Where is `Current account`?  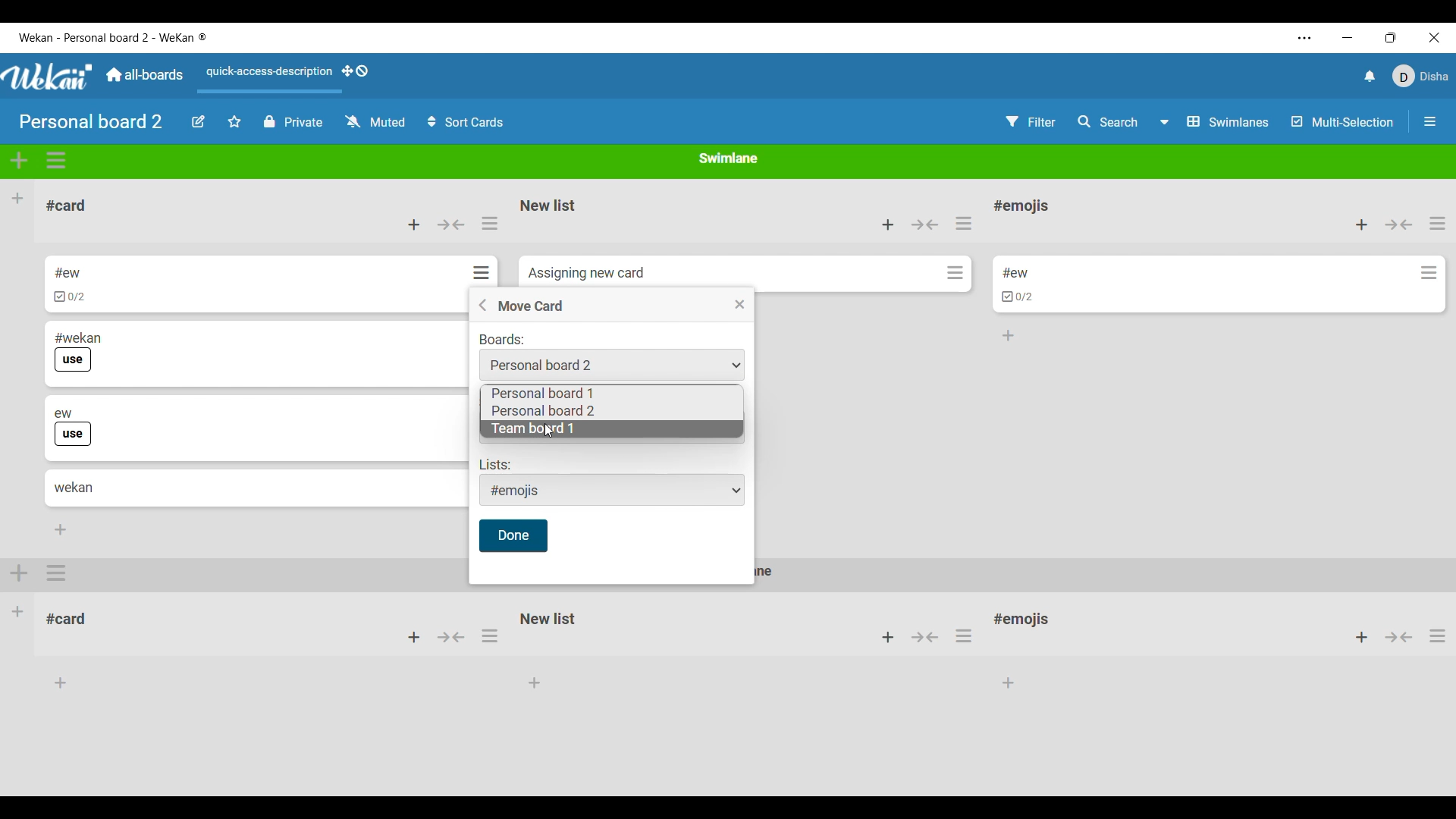
Current account is located at coordinates (1421, 76).